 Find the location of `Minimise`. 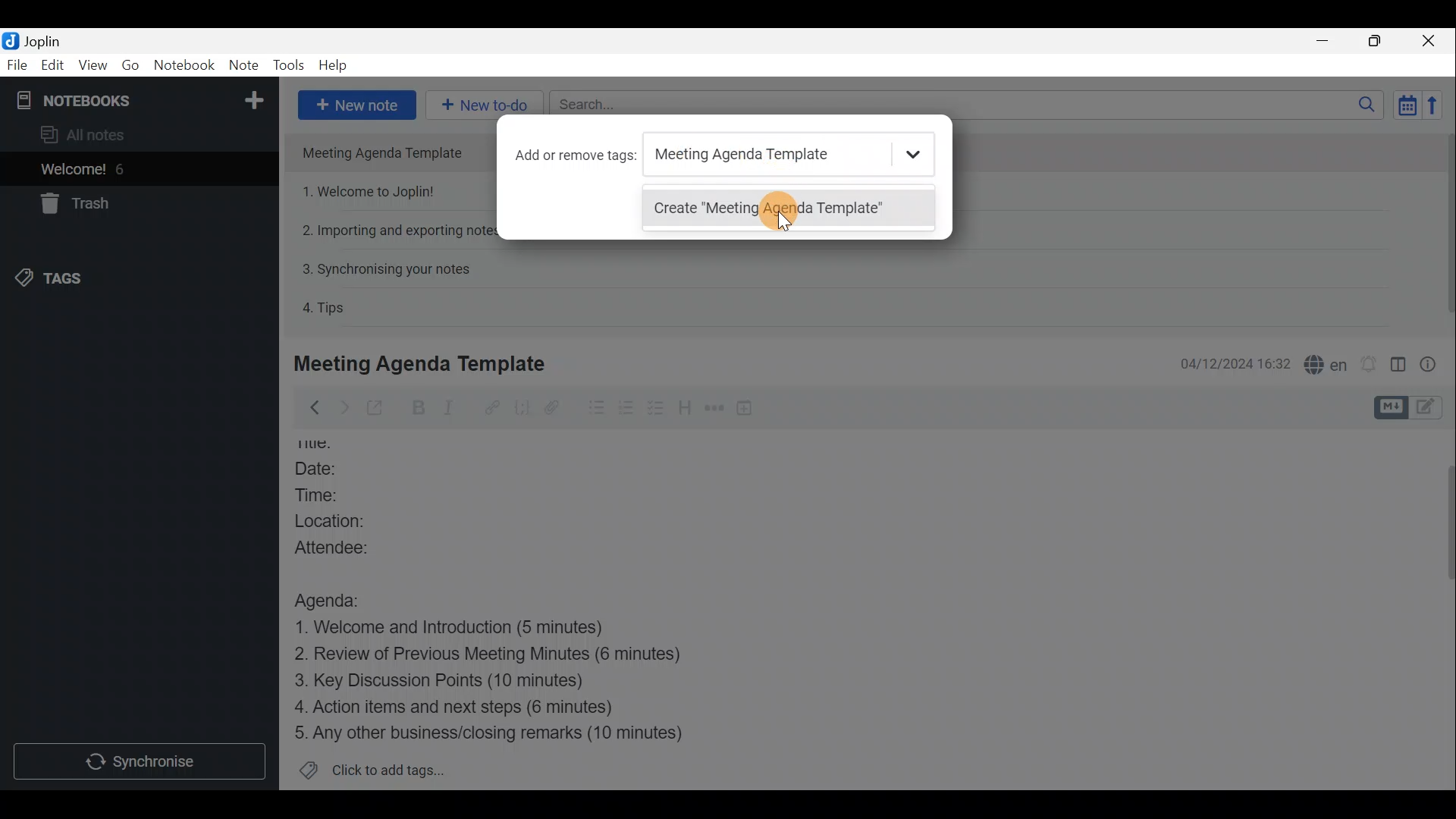

Minimise is located at coordinates (1325, 40).